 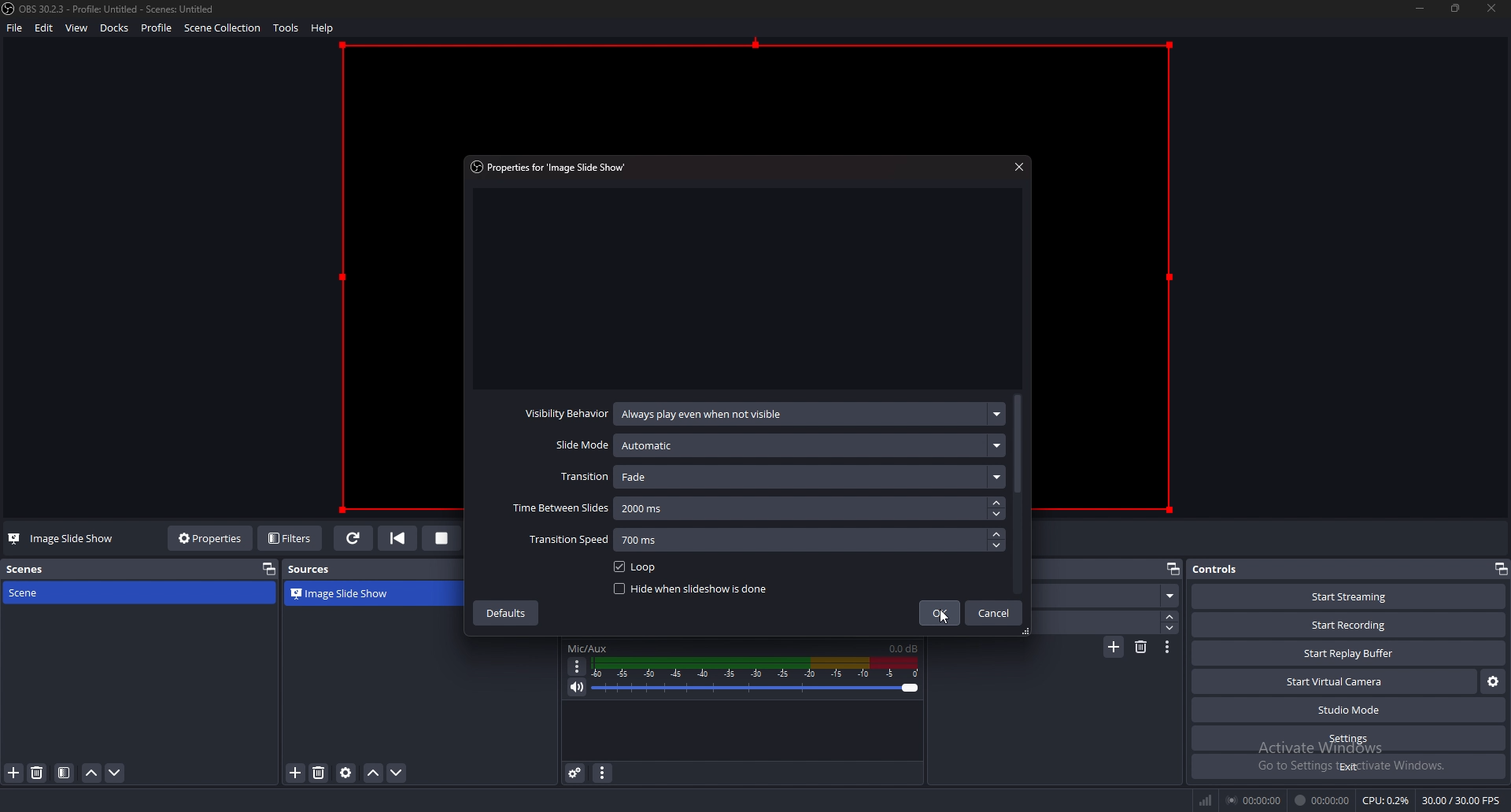 I want to click on transition, so click(x=780, y=477).